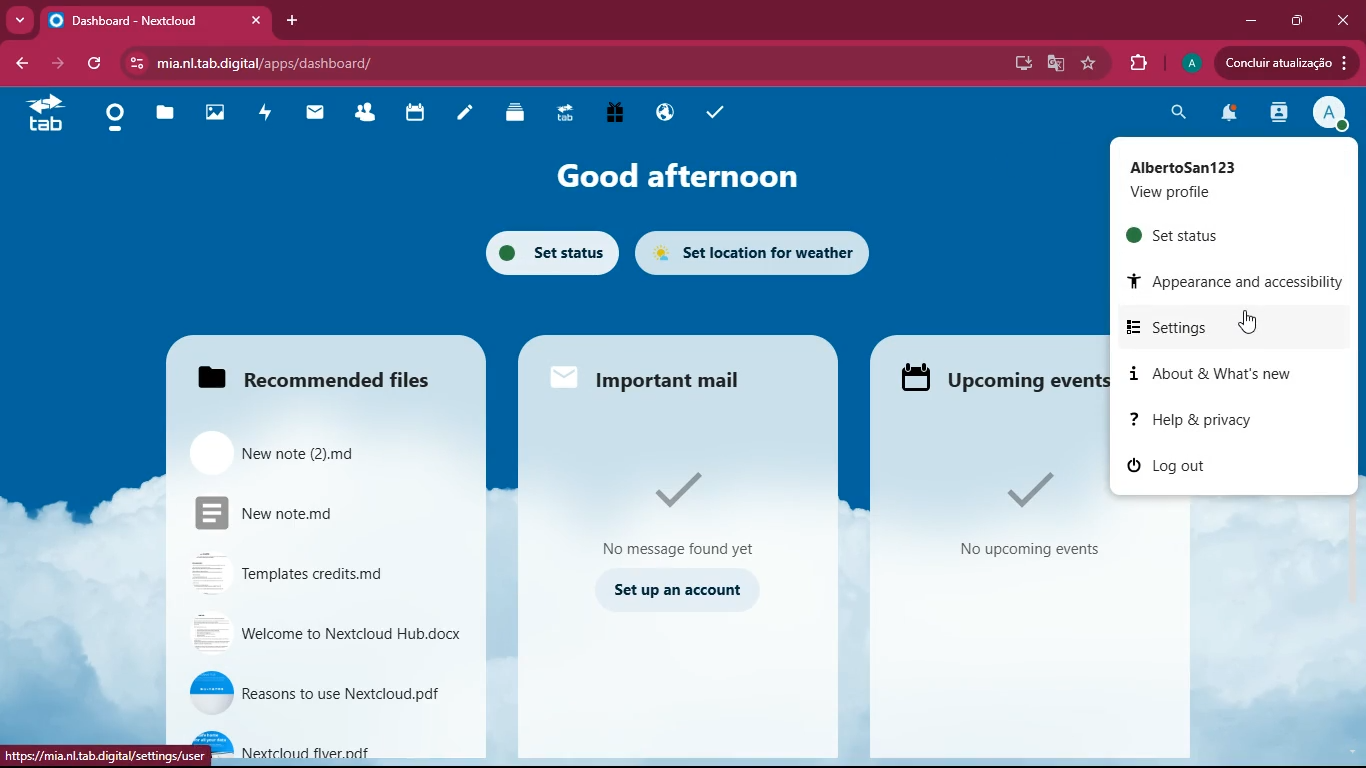  What do you see at coordinates (110, 118) in the screenshot?
I see `home` at bounding box center [110, 118].